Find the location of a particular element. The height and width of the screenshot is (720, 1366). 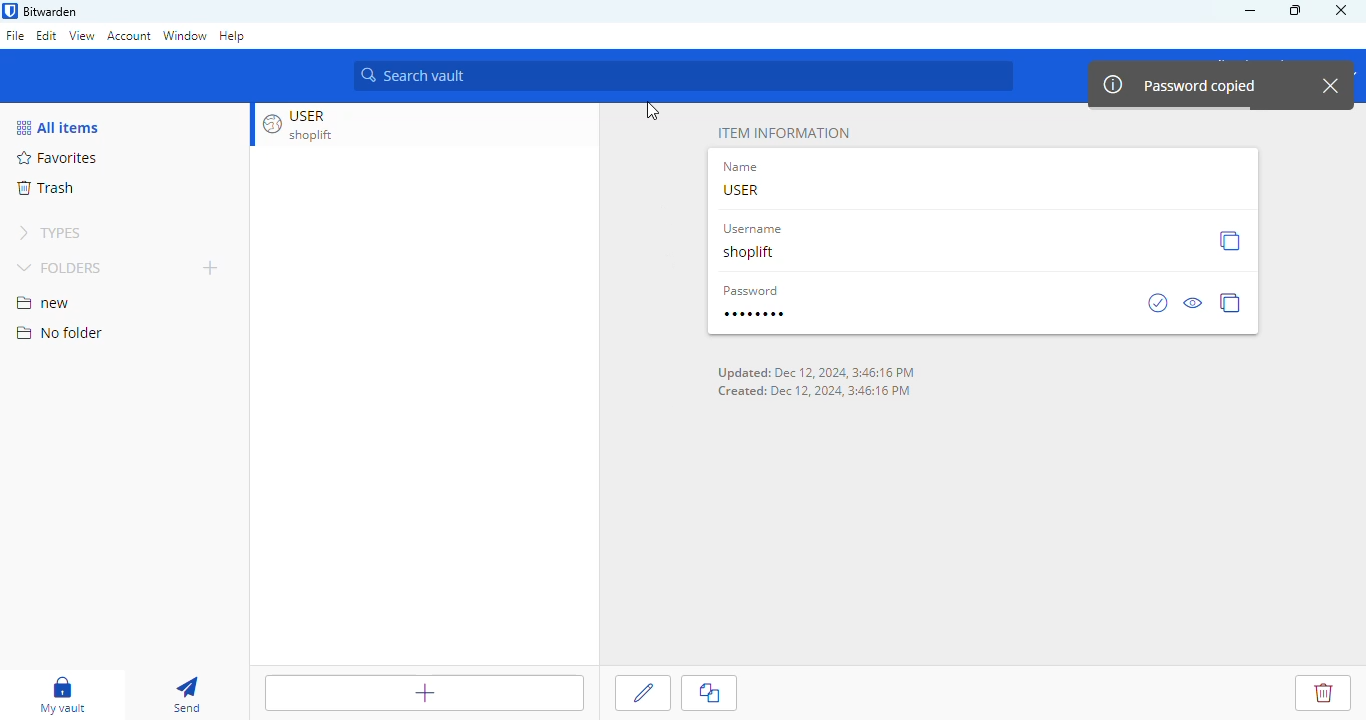

folders is located at coordinates (60, 269).